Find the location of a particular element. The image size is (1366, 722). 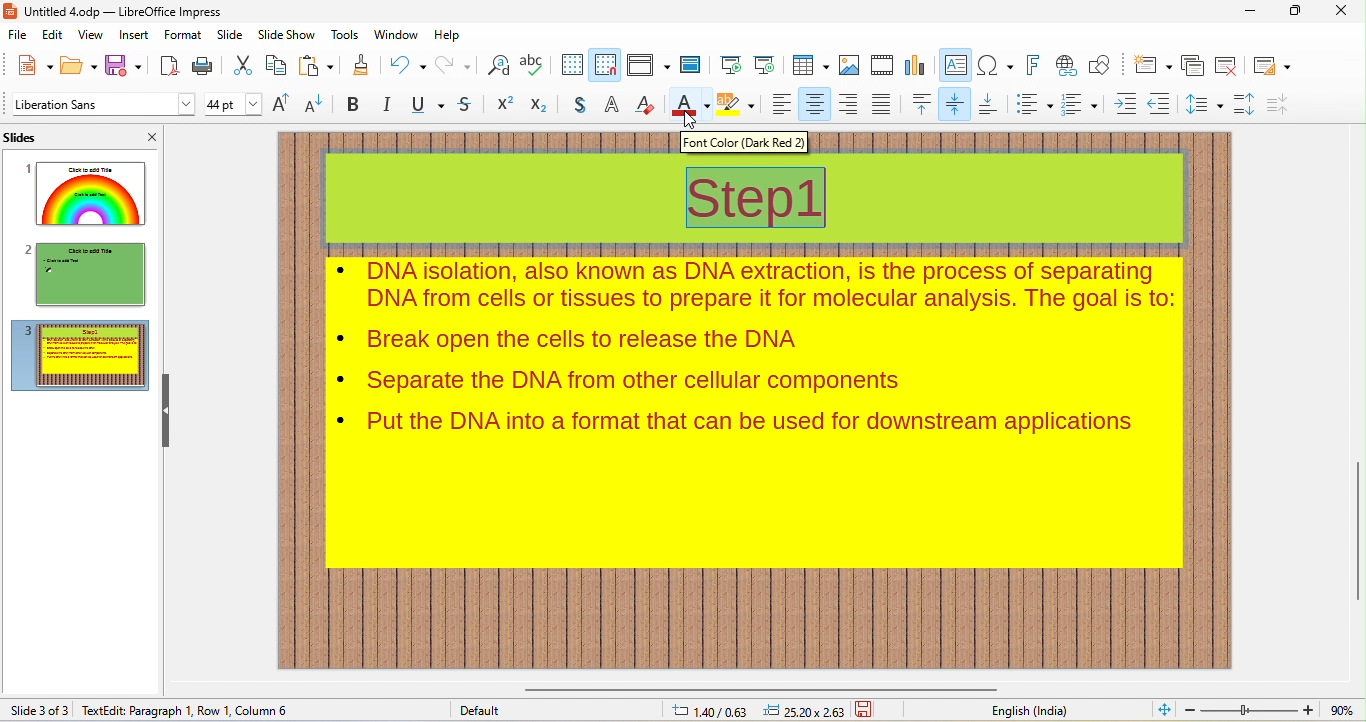

align top is located at coordinates (920, 105).